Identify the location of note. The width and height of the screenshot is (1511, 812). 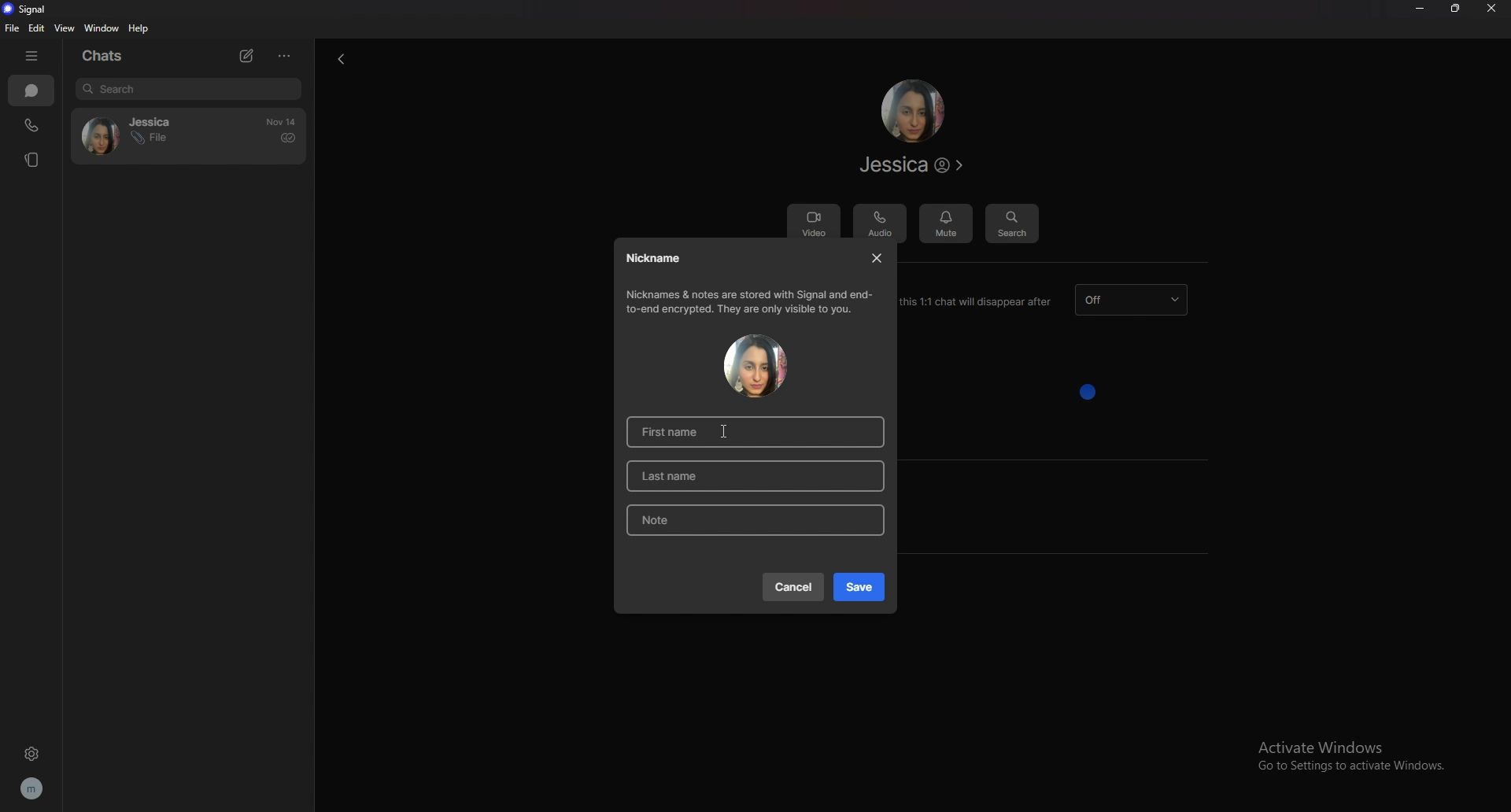
(752, 520).